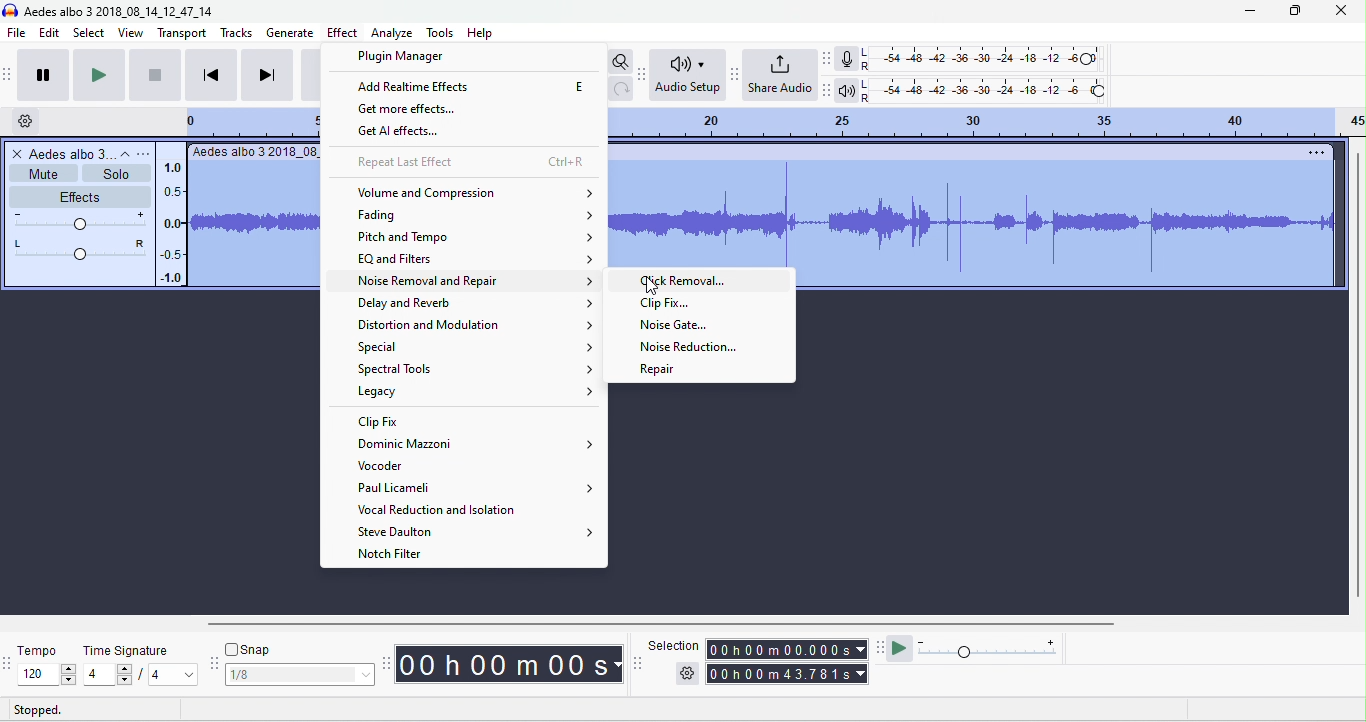 The width and height of the screenshot is (1366, 722). Describe the element at coordinates (79, 196) in the screenshot. I see `effects` at that location.